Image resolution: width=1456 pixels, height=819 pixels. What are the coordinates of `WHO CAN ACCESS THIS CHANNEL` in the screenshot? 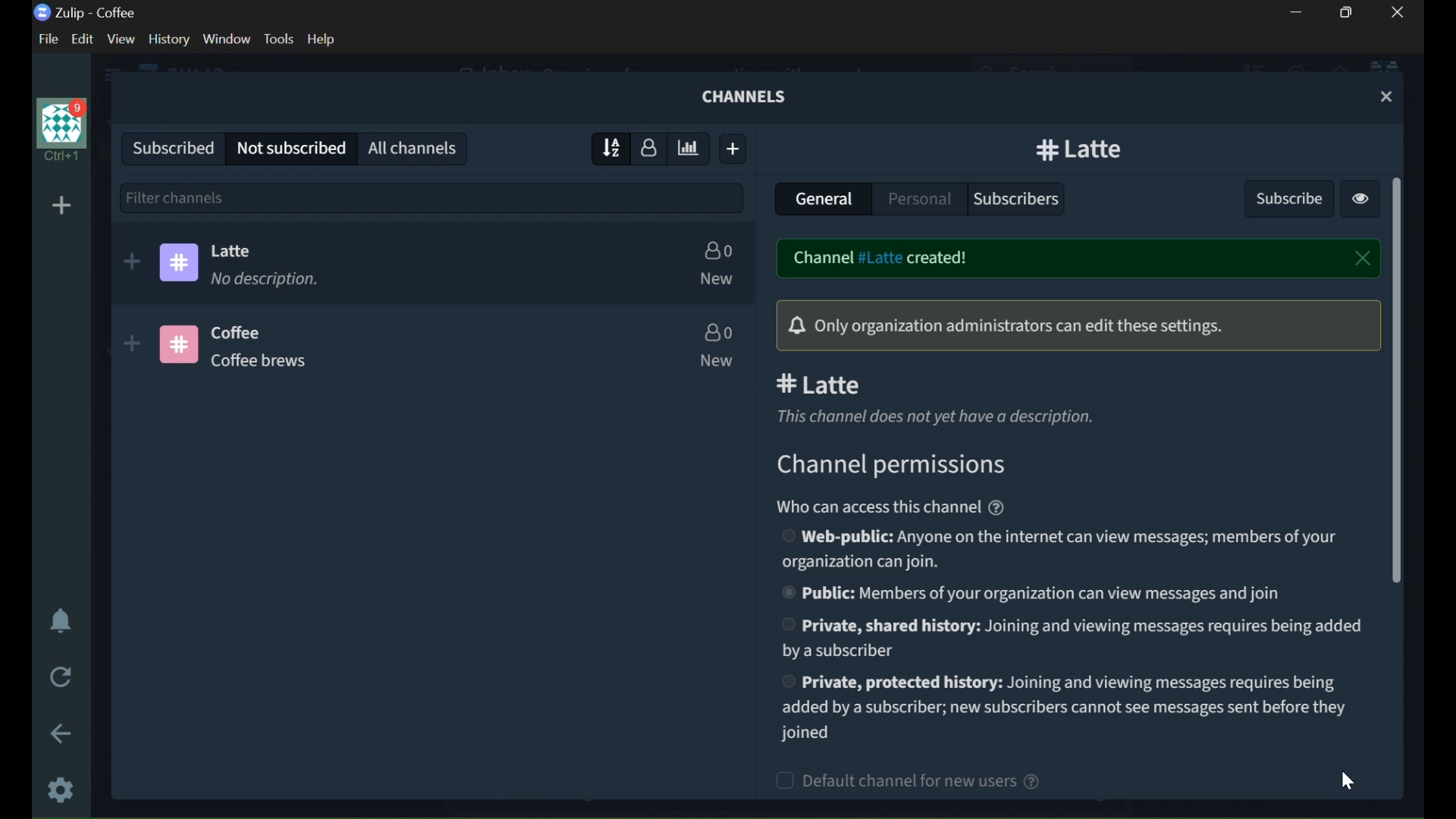 It's located at (902, 507).